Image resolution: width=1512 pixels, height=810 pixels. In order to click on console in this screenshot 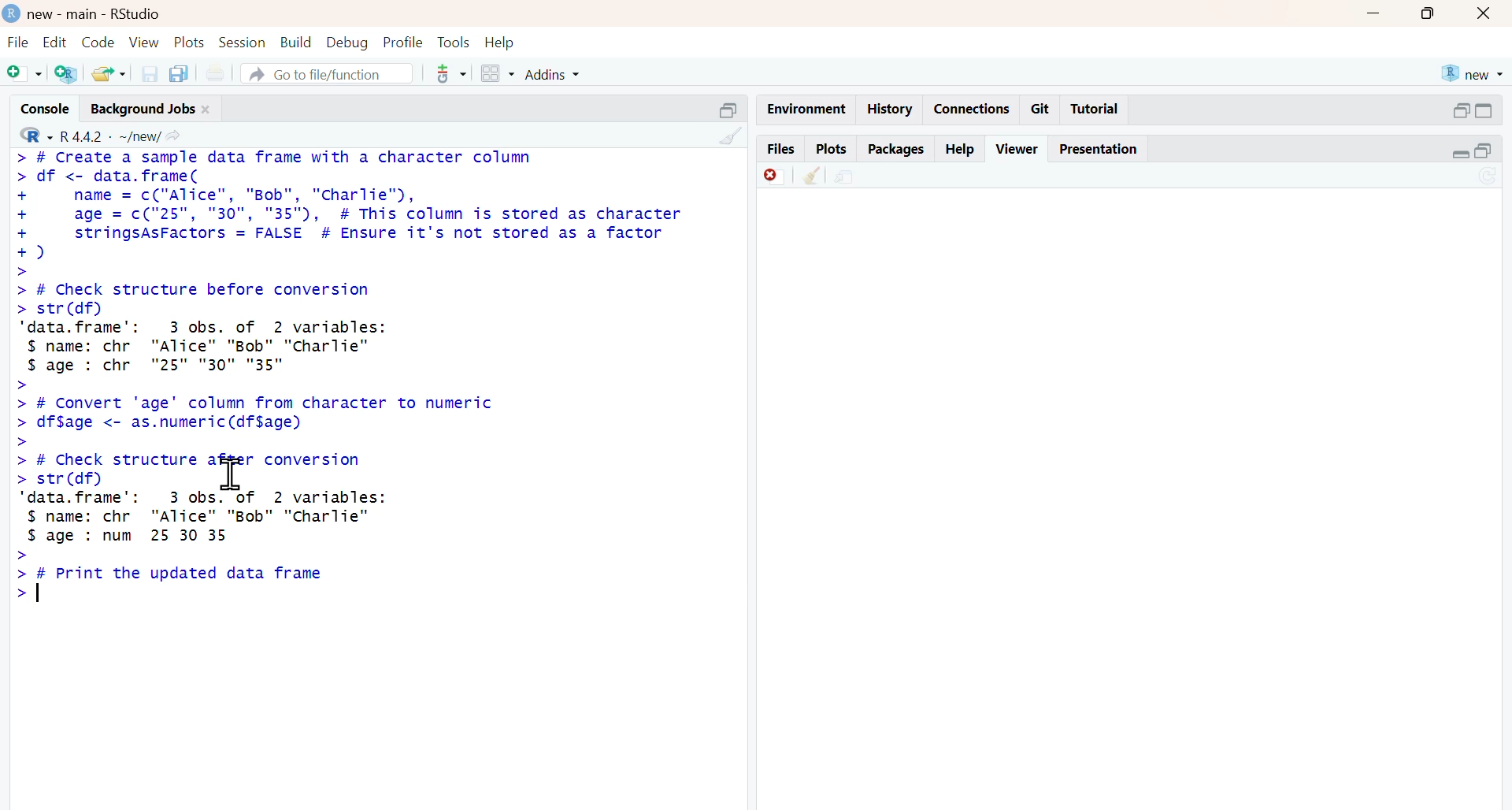, I will do `click(46, 110)`.